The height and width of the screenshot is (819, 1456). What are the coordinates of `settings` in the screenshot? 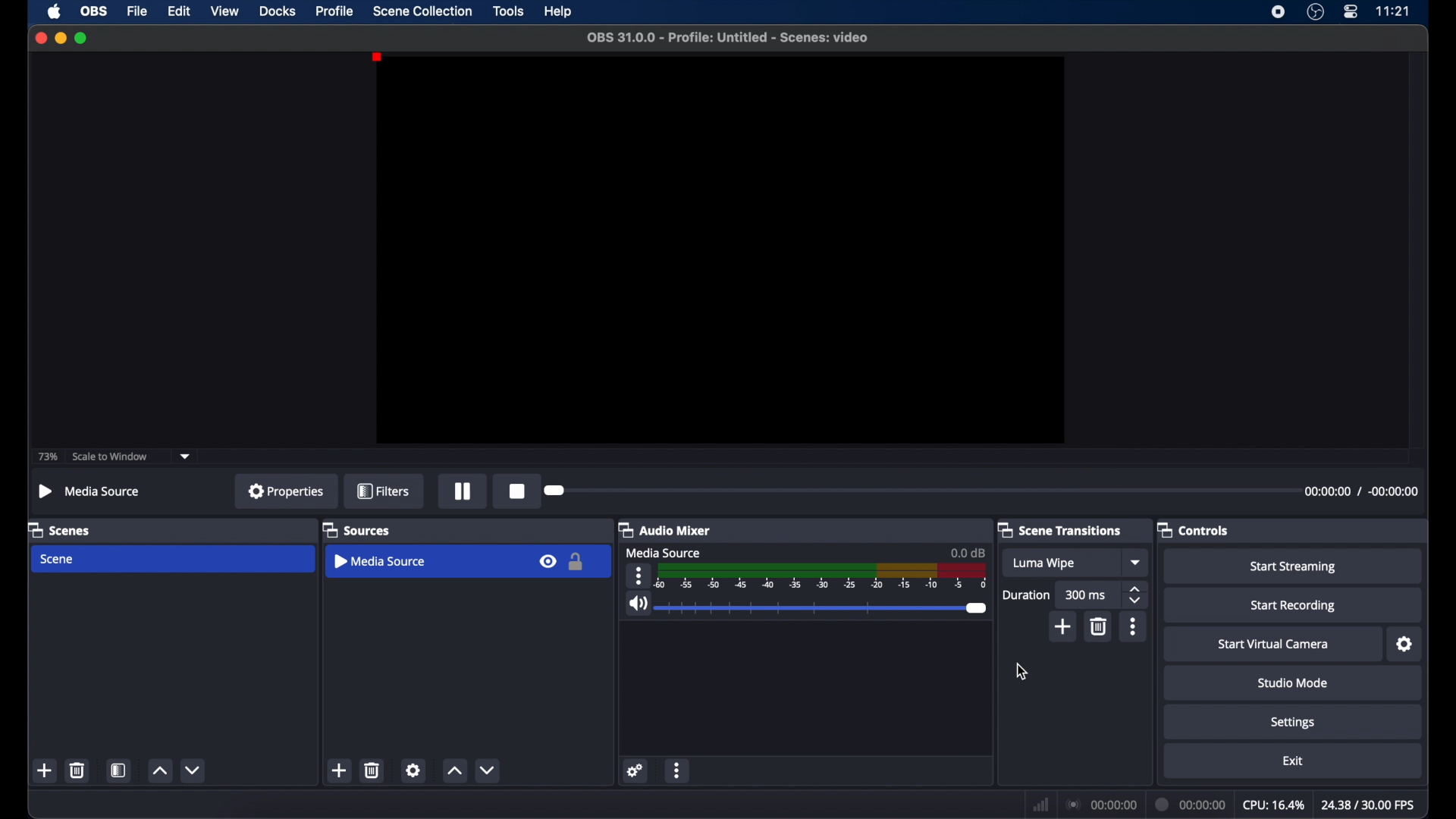 It's located at (1406, 645).